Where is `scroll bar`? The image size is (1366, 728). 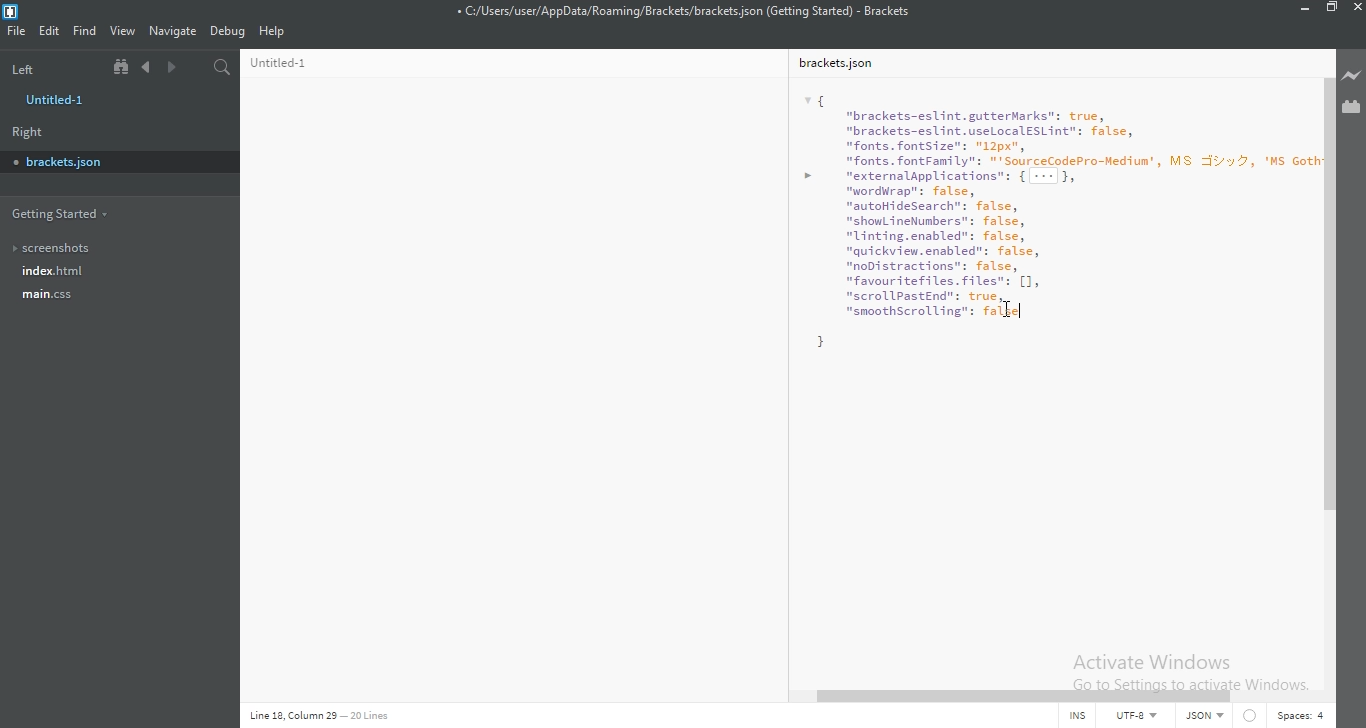
scroll bar is located at coordinates (1330, 293).